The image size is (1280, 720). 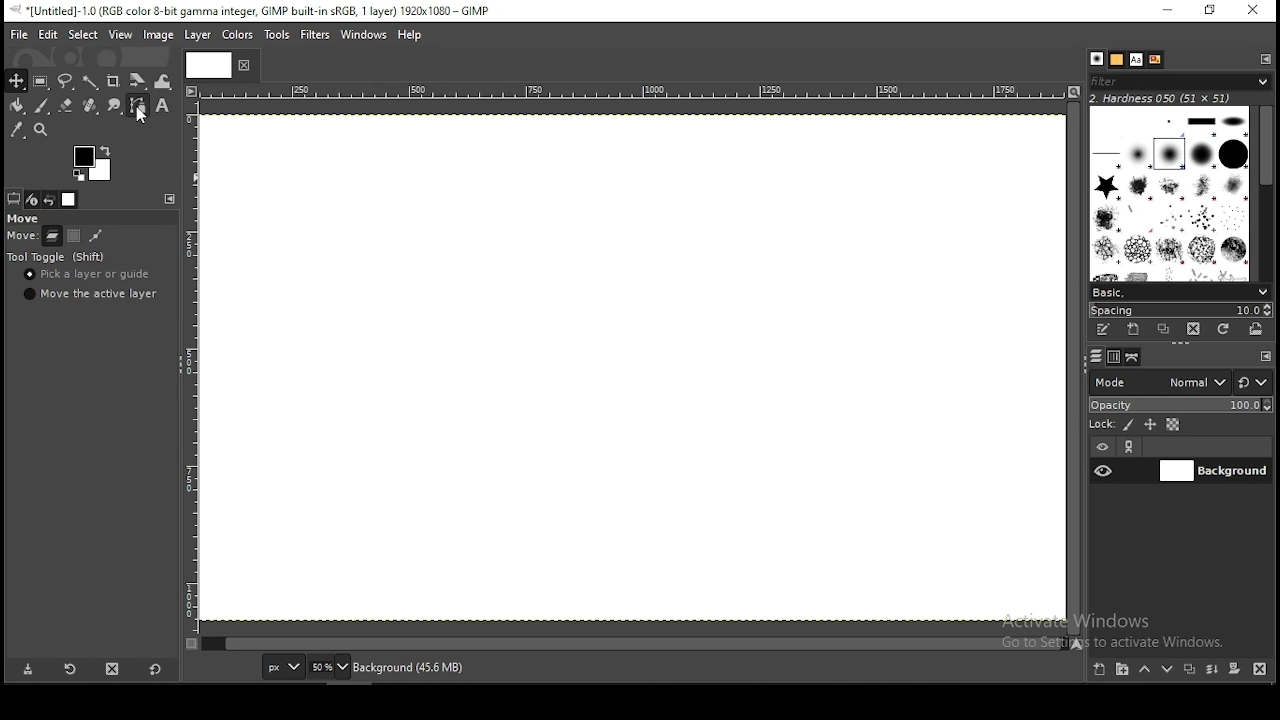 I want to click on fuzzy selection tool, so click(x=90, y=81).